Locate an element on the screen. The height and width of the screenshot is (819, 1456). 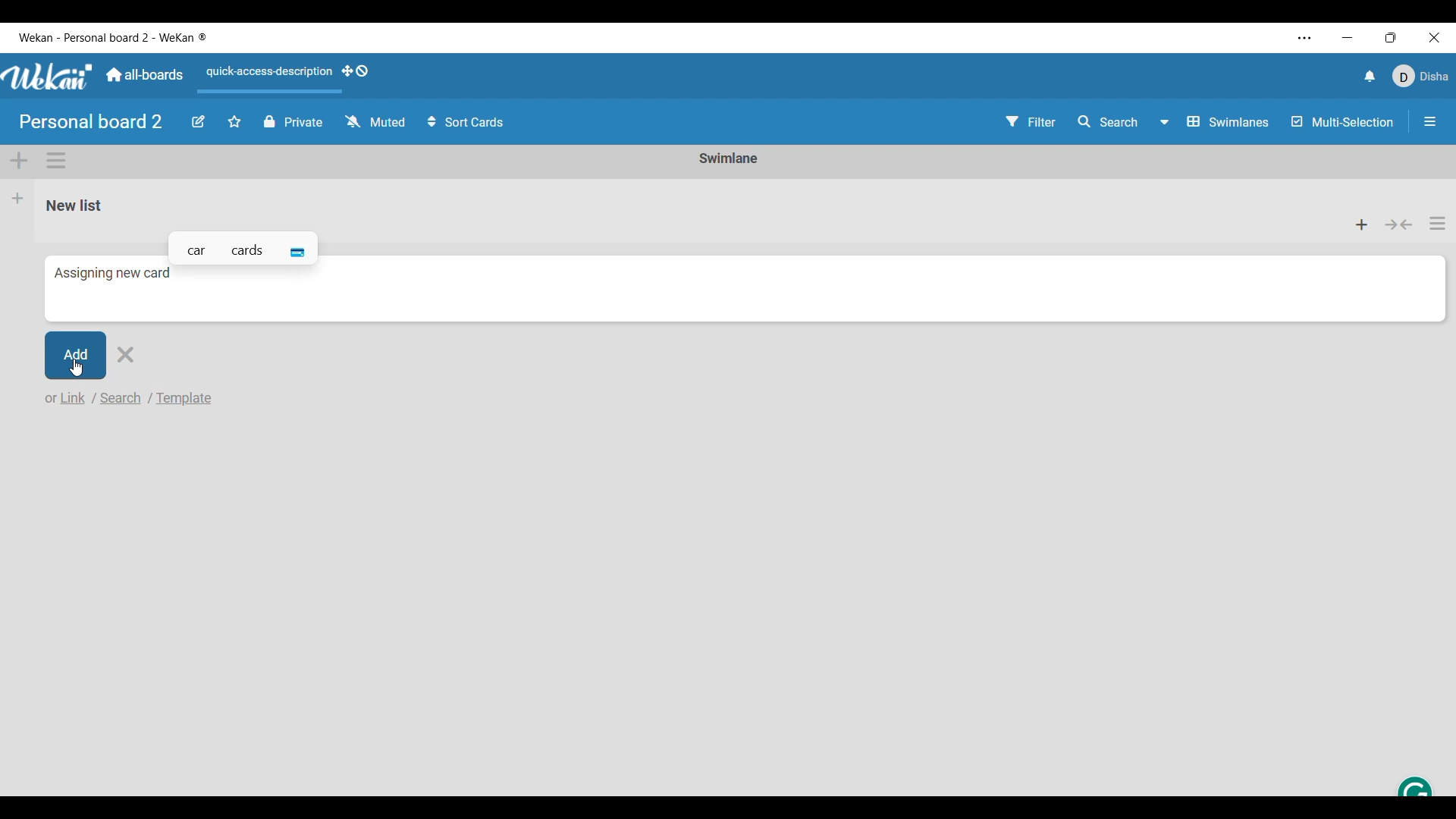
Quick access description is located at coordinates (266, 78).